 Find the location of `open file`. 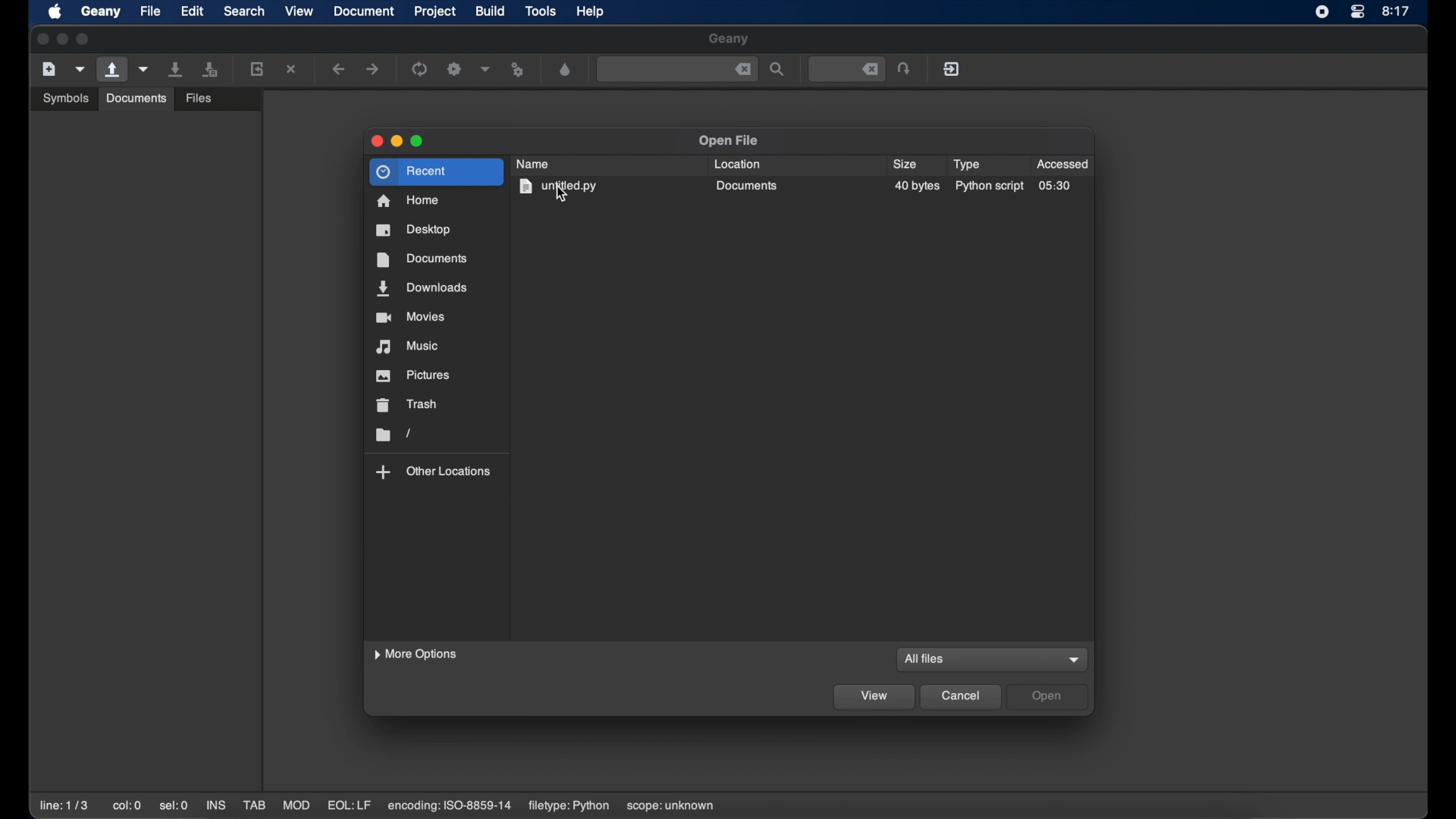

open file is located at coordinates (729, 140).